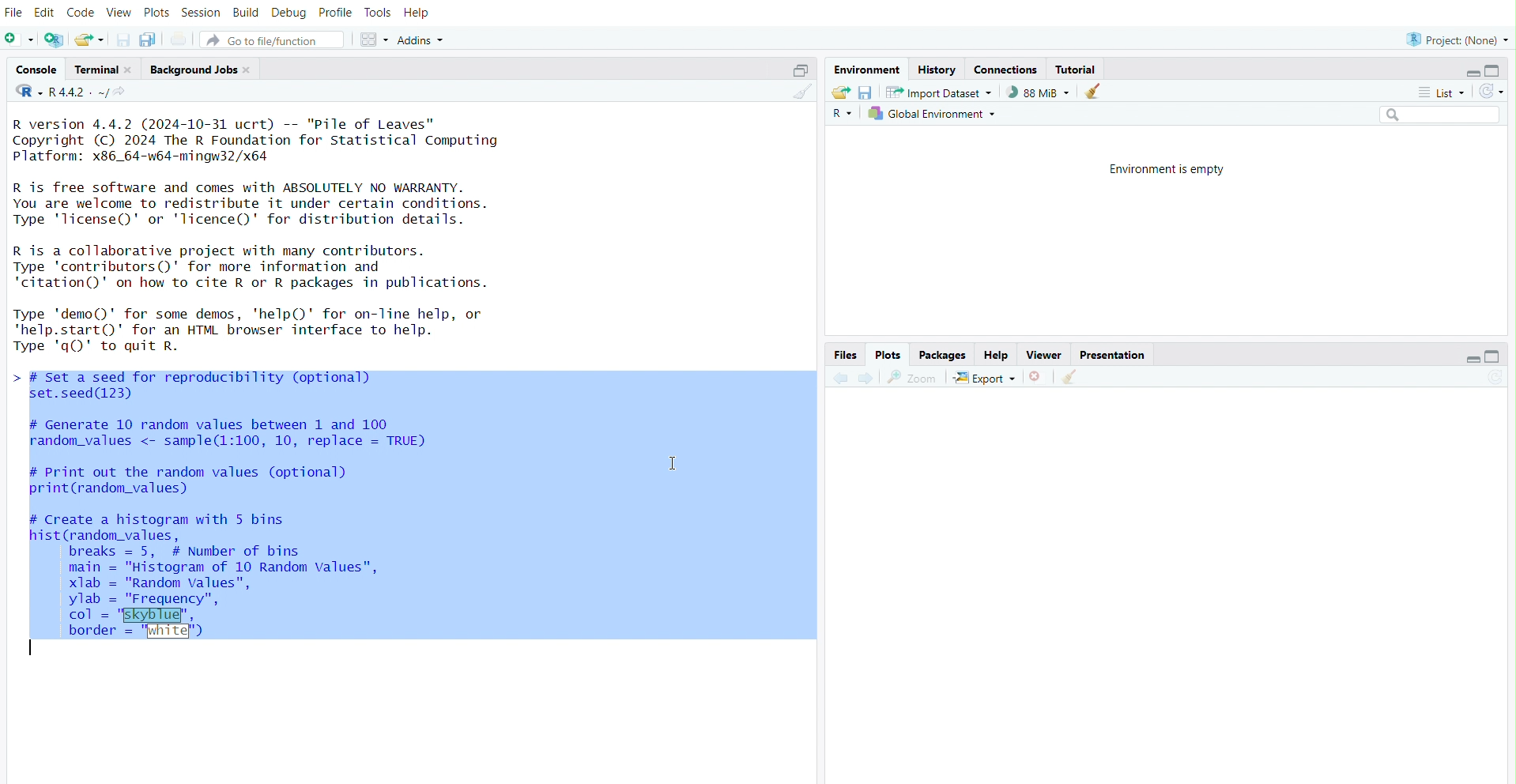  Describe the element at coordinates (1038, 92) in the screenshot. I see `88 MiB` at that location.